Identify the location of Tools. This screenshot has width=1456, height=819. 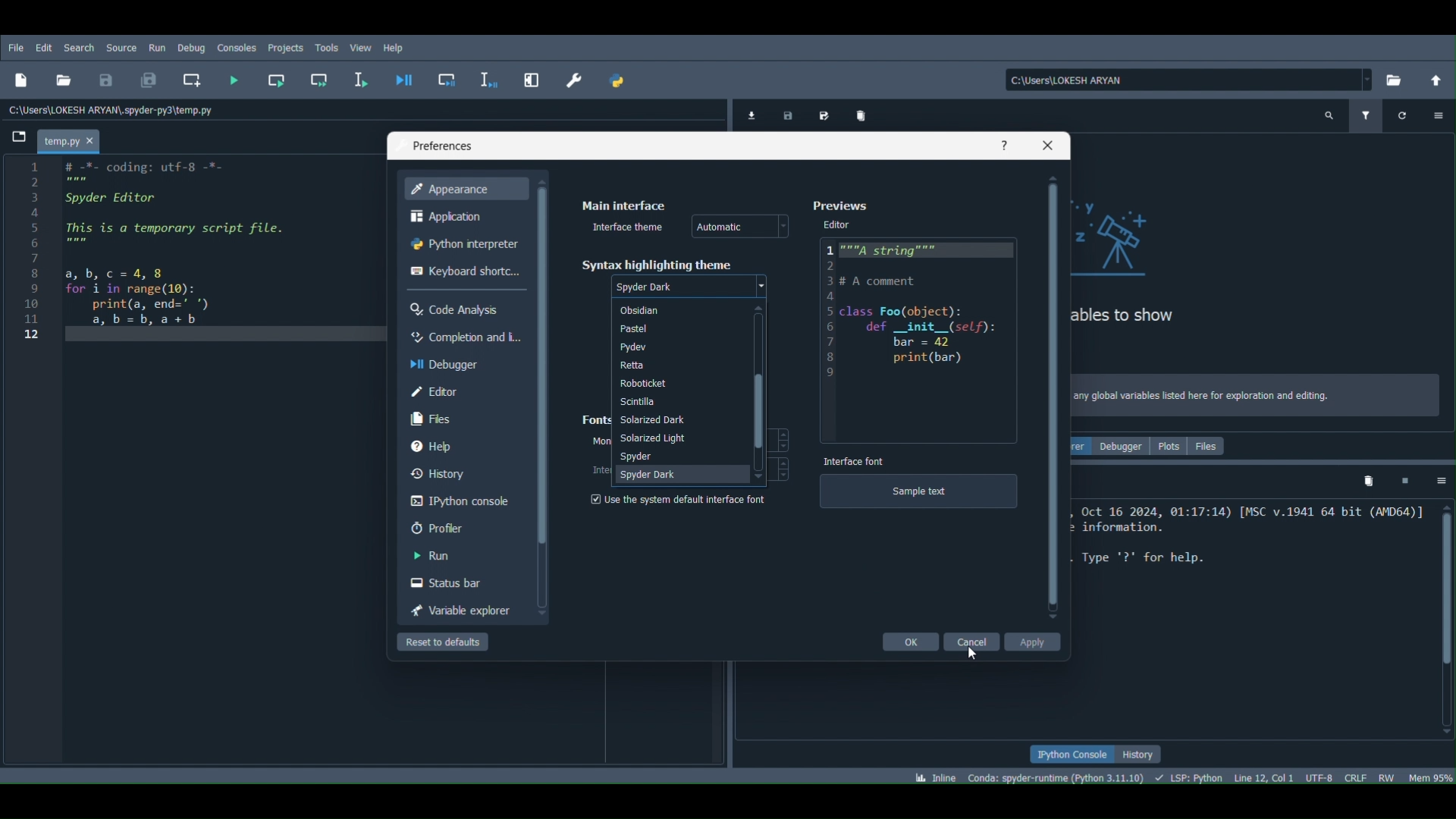
(322, 47).